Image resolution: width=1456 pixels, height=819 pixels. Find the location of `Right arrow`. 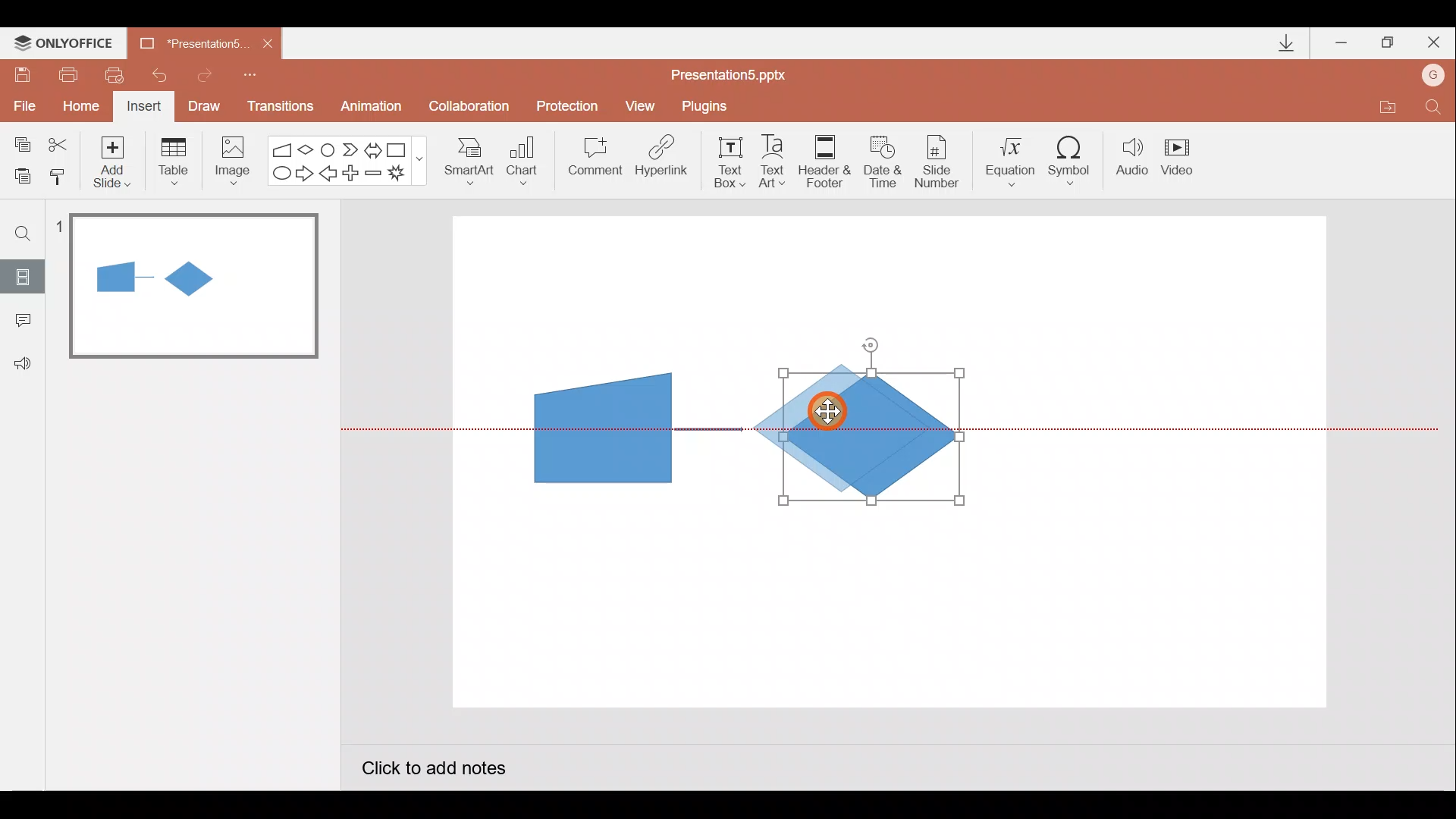

Right arrow is located at coordinates (306, 172).